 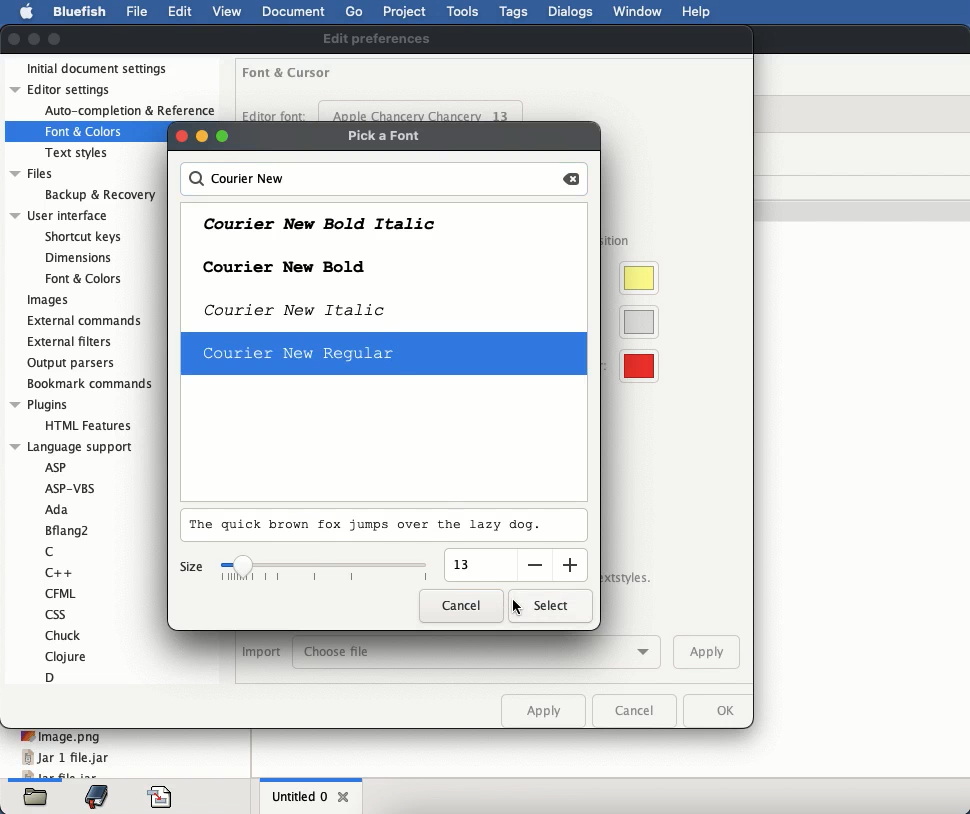 I want to click on ok, so click(x=713, y=712).